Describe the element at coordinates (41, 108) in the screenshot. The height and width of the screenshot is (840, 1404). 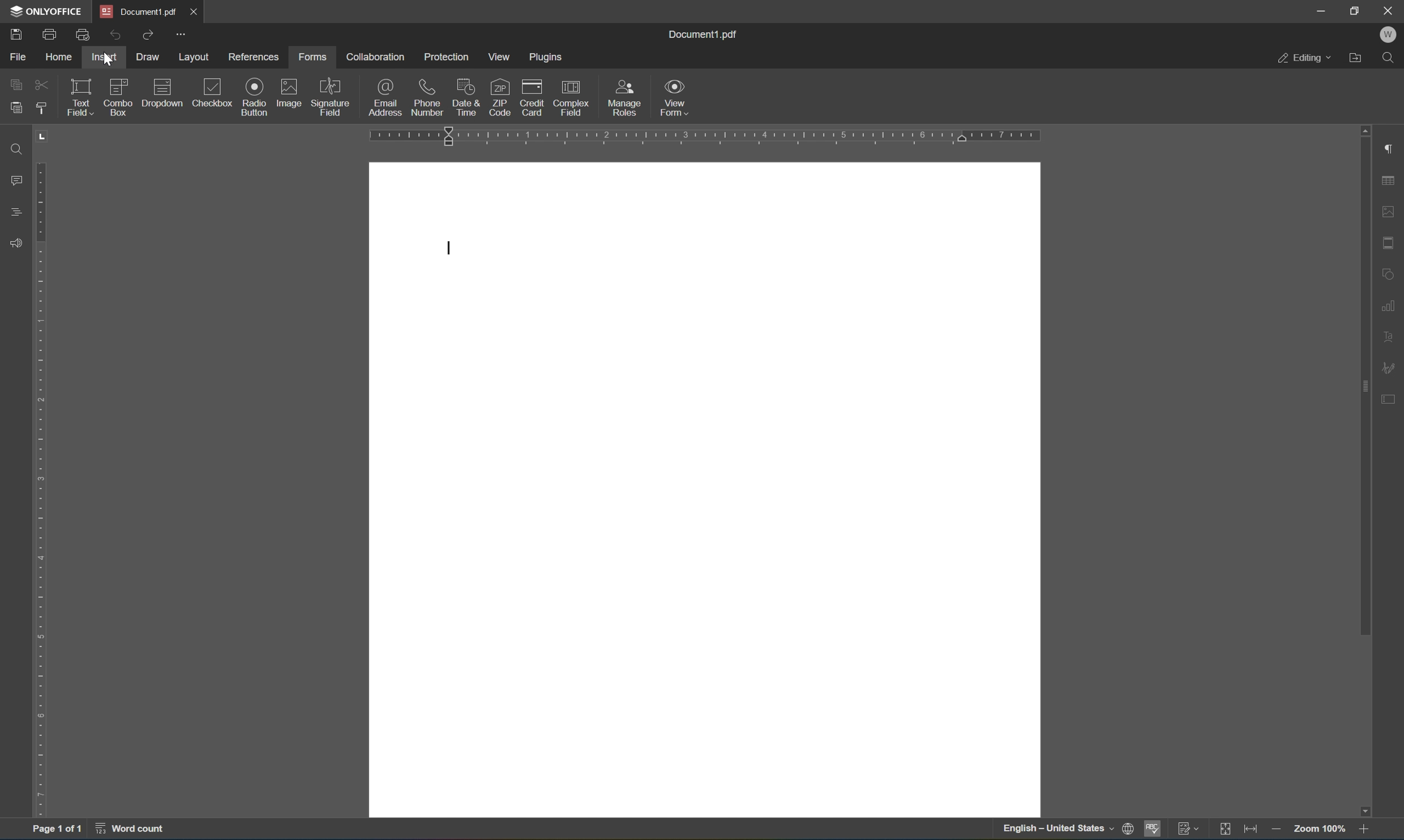
I see `copy style` at that location.